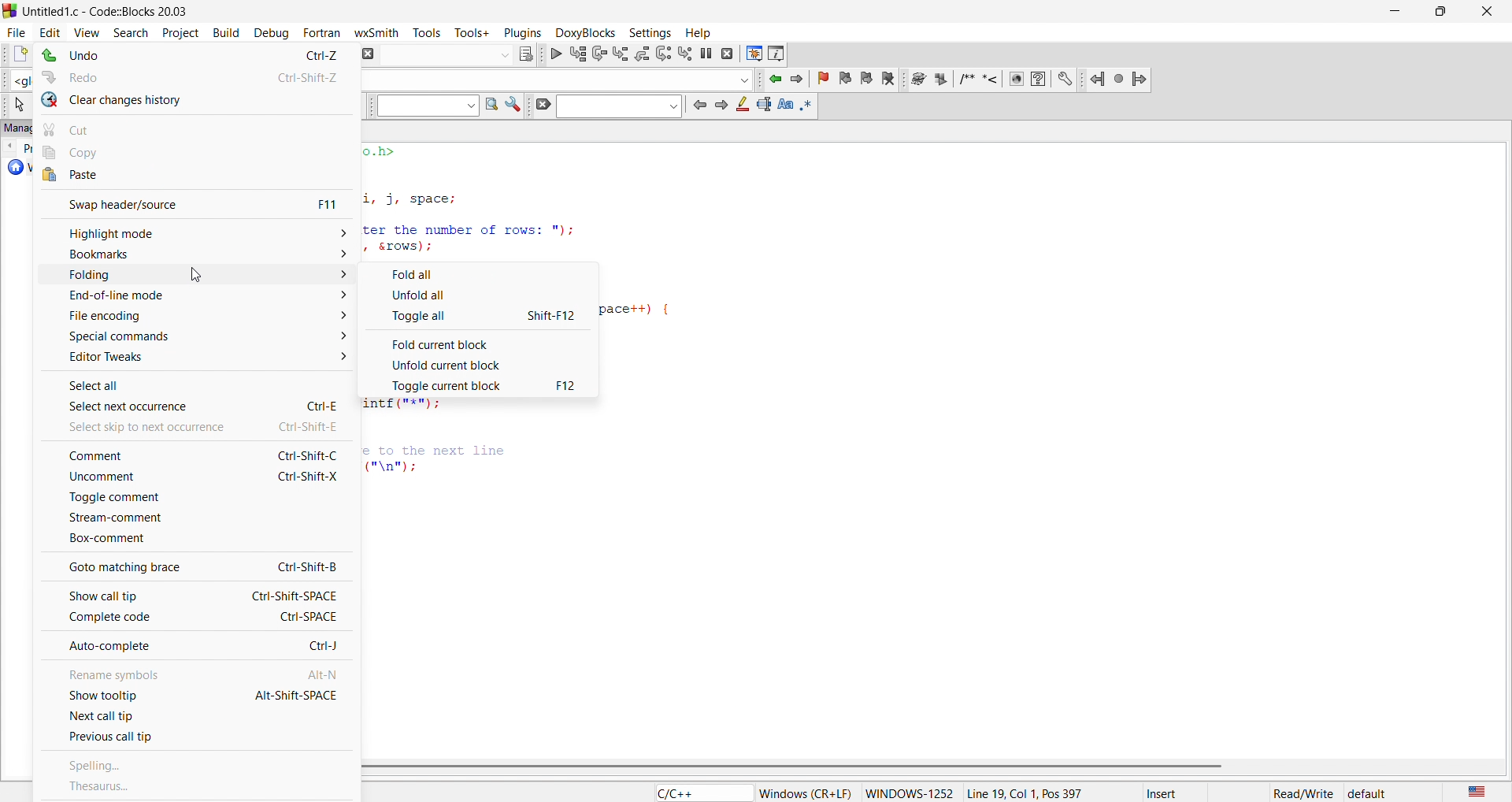 This screenshot has height=802, width=1512. I want to click on vertical scroll bar, so click(926, 767).